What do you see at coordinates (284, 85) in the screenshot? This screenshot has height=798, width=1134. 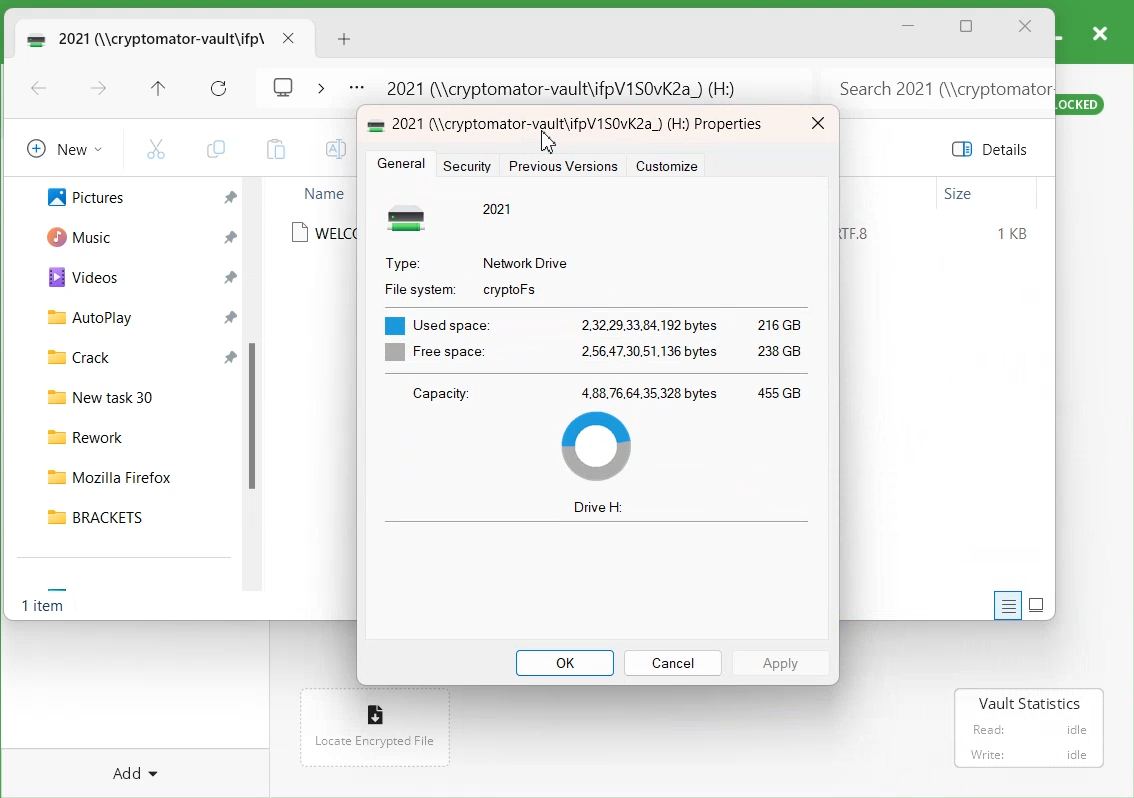 I see `Logo` at bounding box center [284, 85].